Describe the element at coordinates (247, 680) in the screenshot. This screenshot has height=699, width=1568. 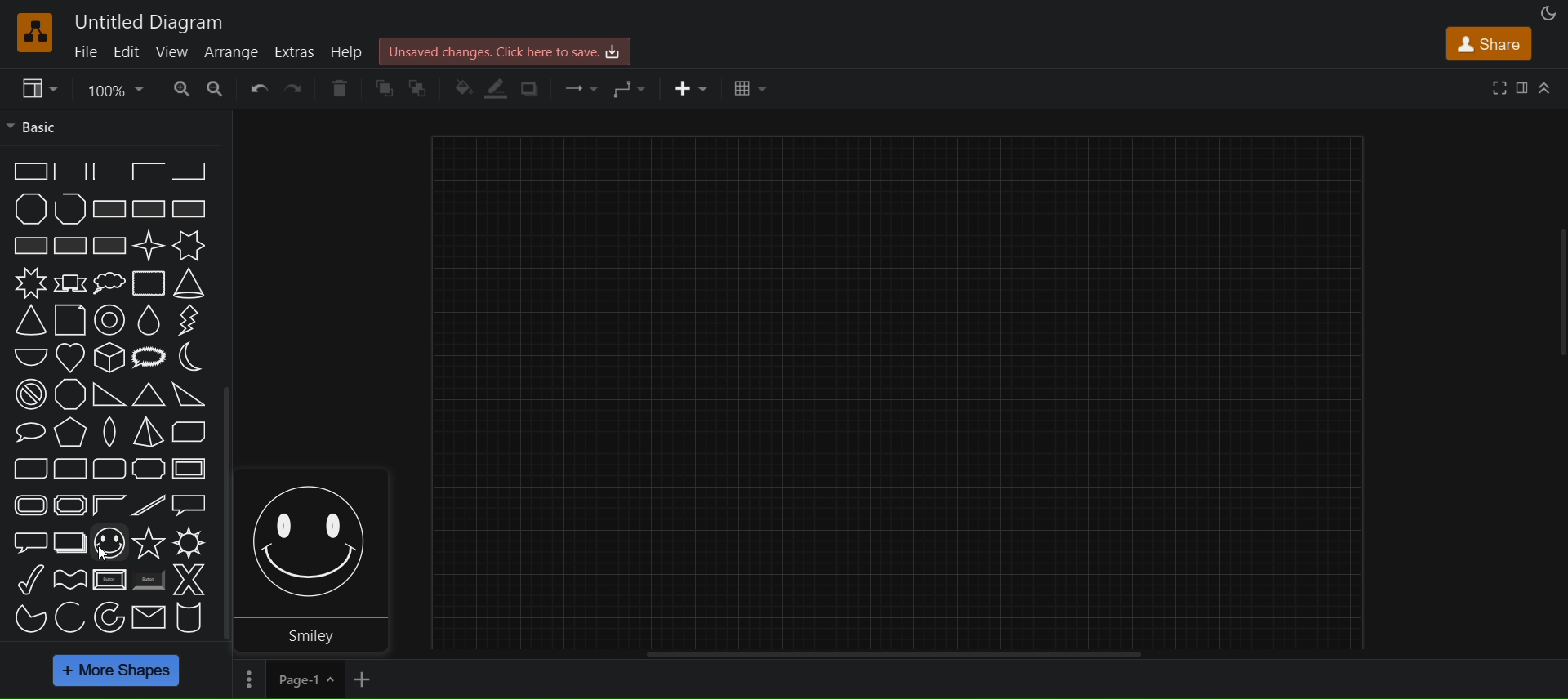
I see `options` at that location.